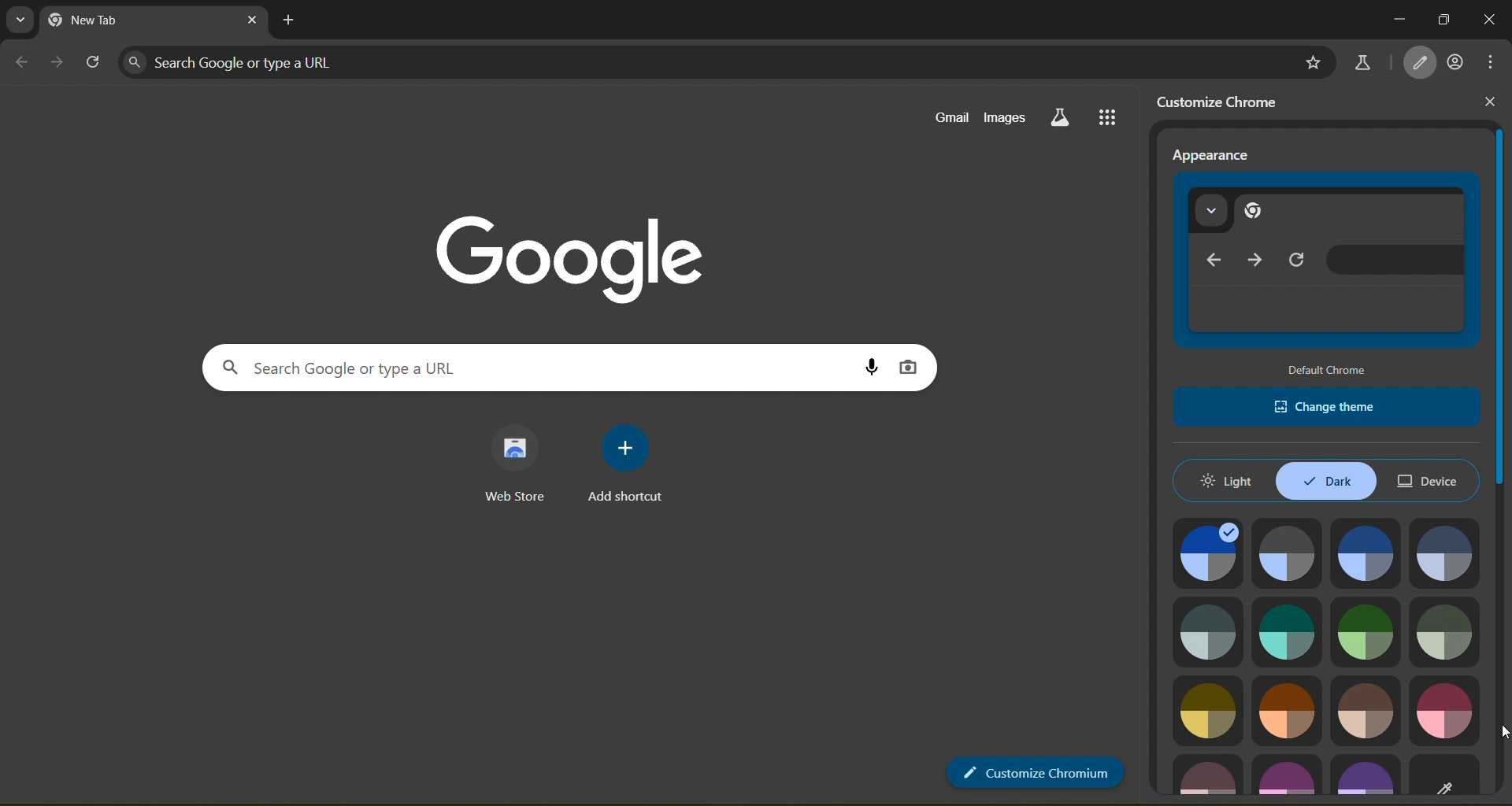 This screenshot has height=806, width=1512. What do you see at coordinates (1362, 64) in the screenshot?
I see `search labs` at bounding box center [1362, 64].